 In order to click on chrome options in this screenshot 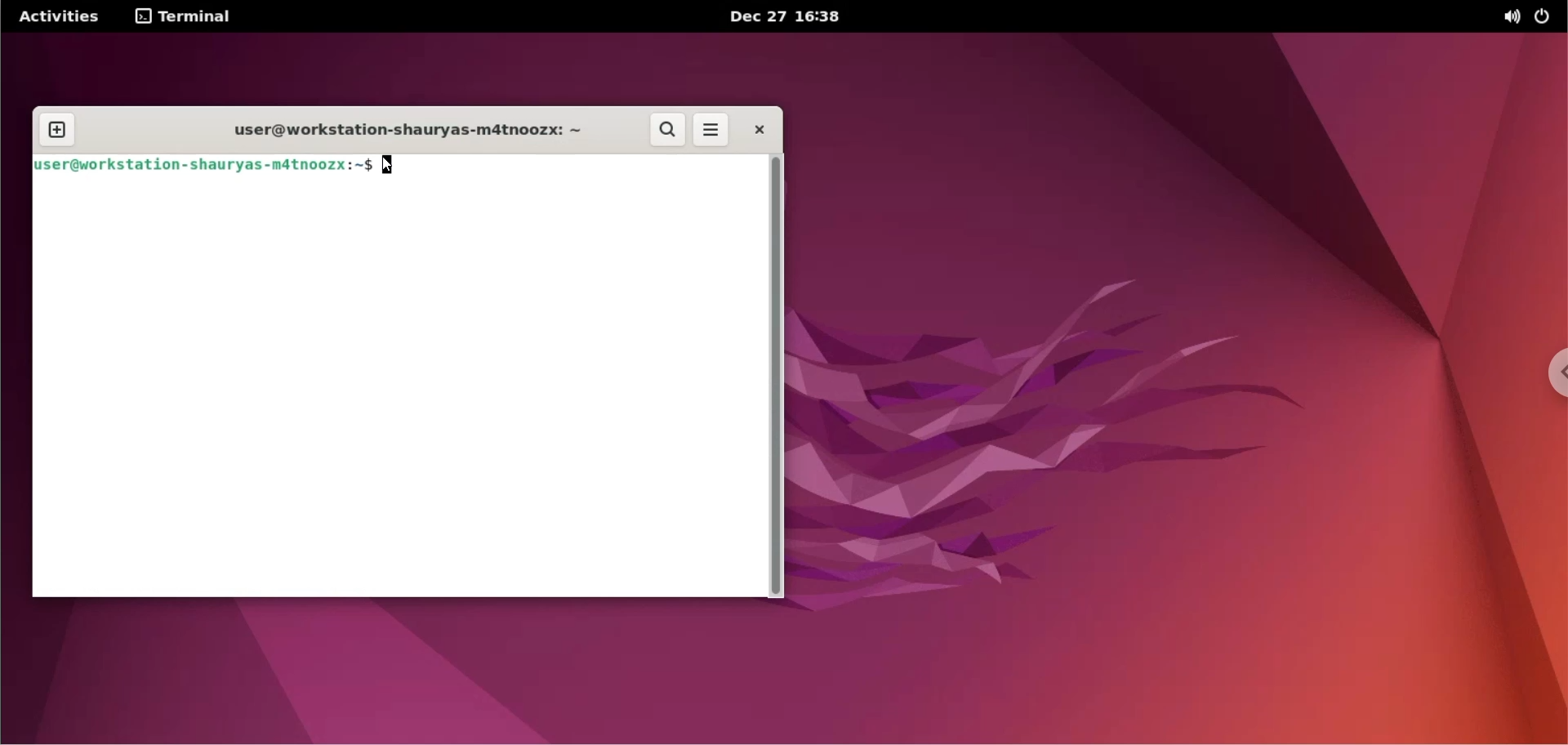, I will do `click(1558, 373)`.